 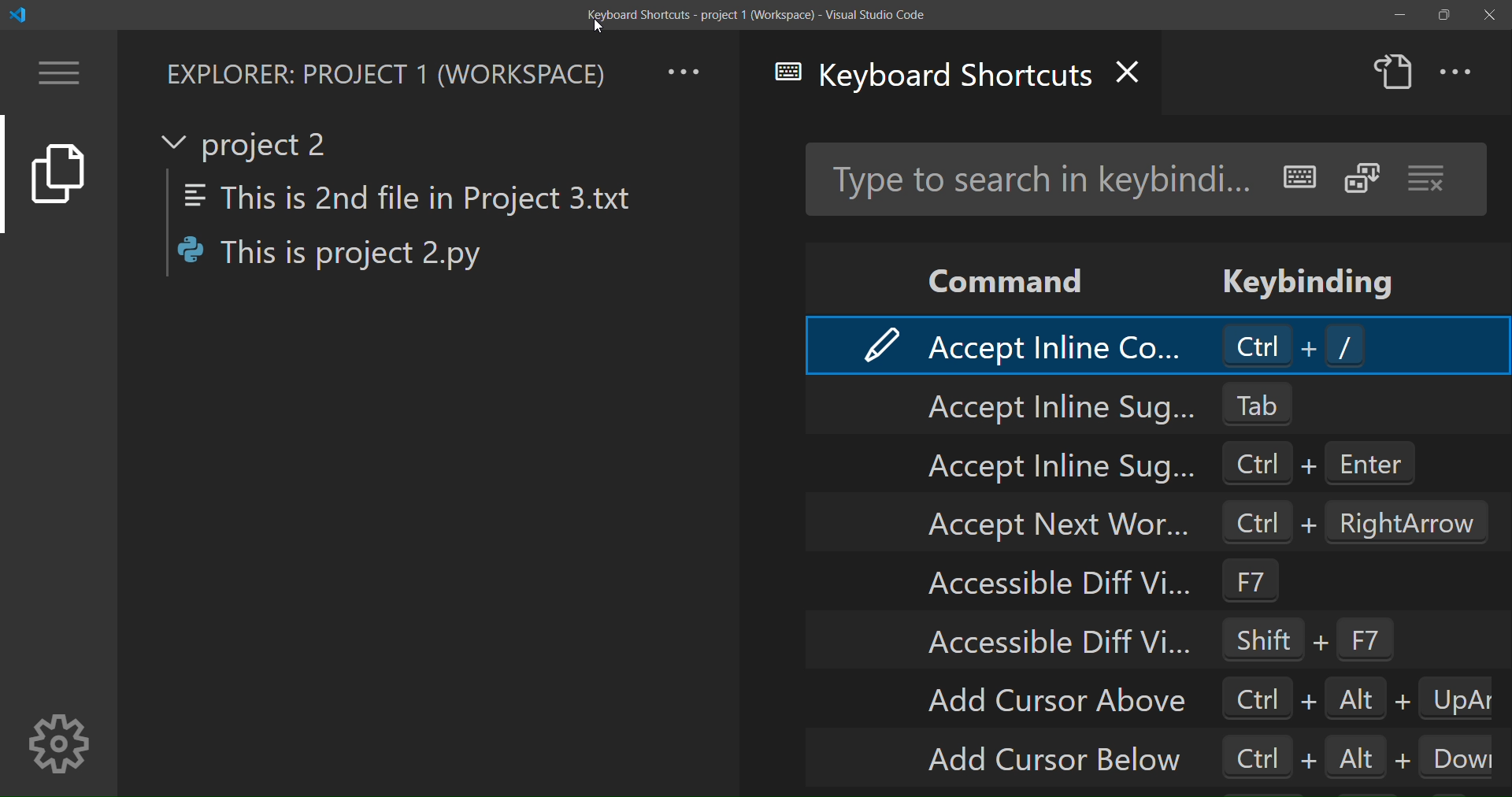 What do you see at coordinates (1049, 406) in the screenshot?
I see `accept inline Sug...` at bounding box center [1049, 406].